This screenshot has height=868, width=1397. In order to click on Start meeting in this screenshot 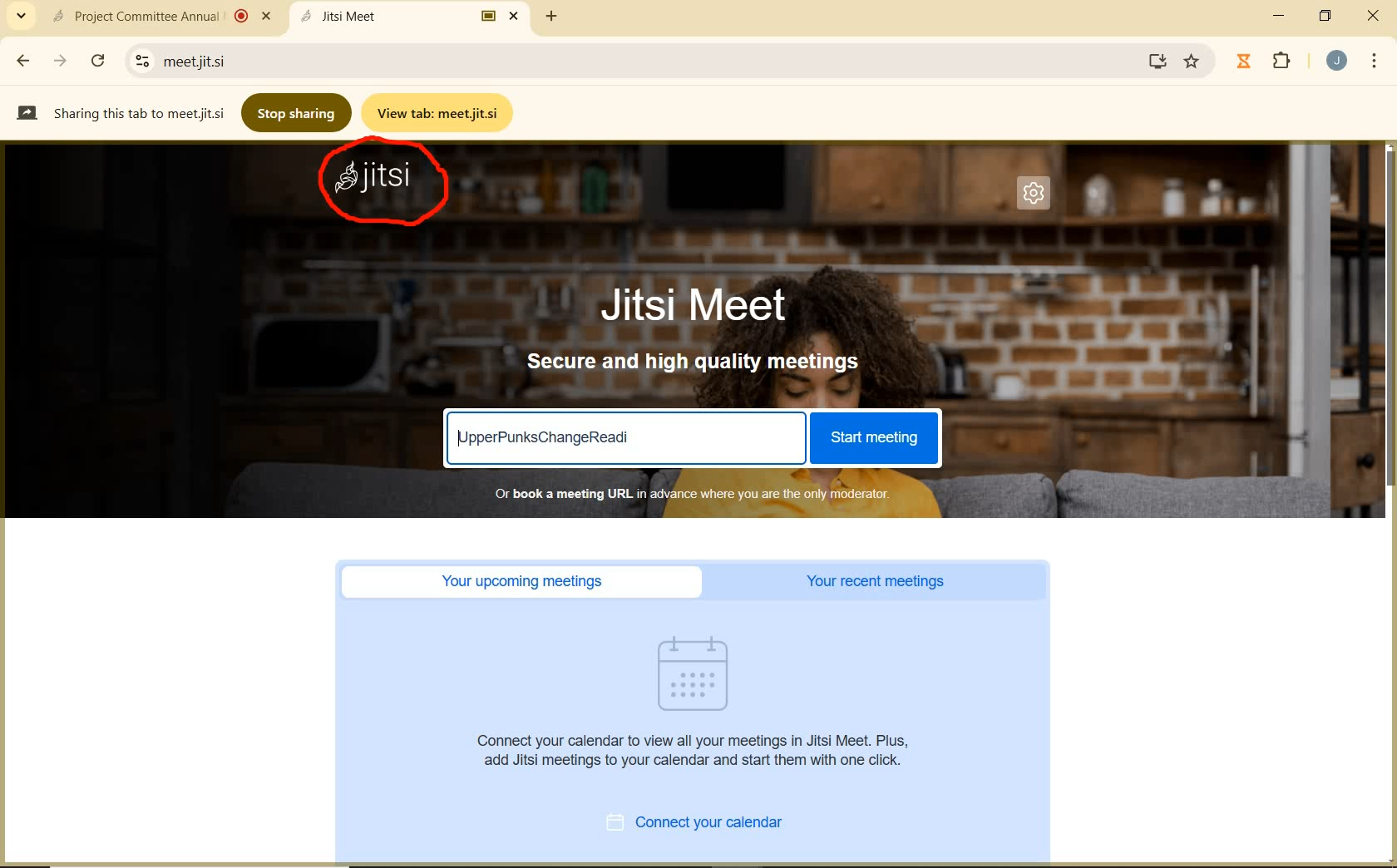, I will do `click(872, 438)`.